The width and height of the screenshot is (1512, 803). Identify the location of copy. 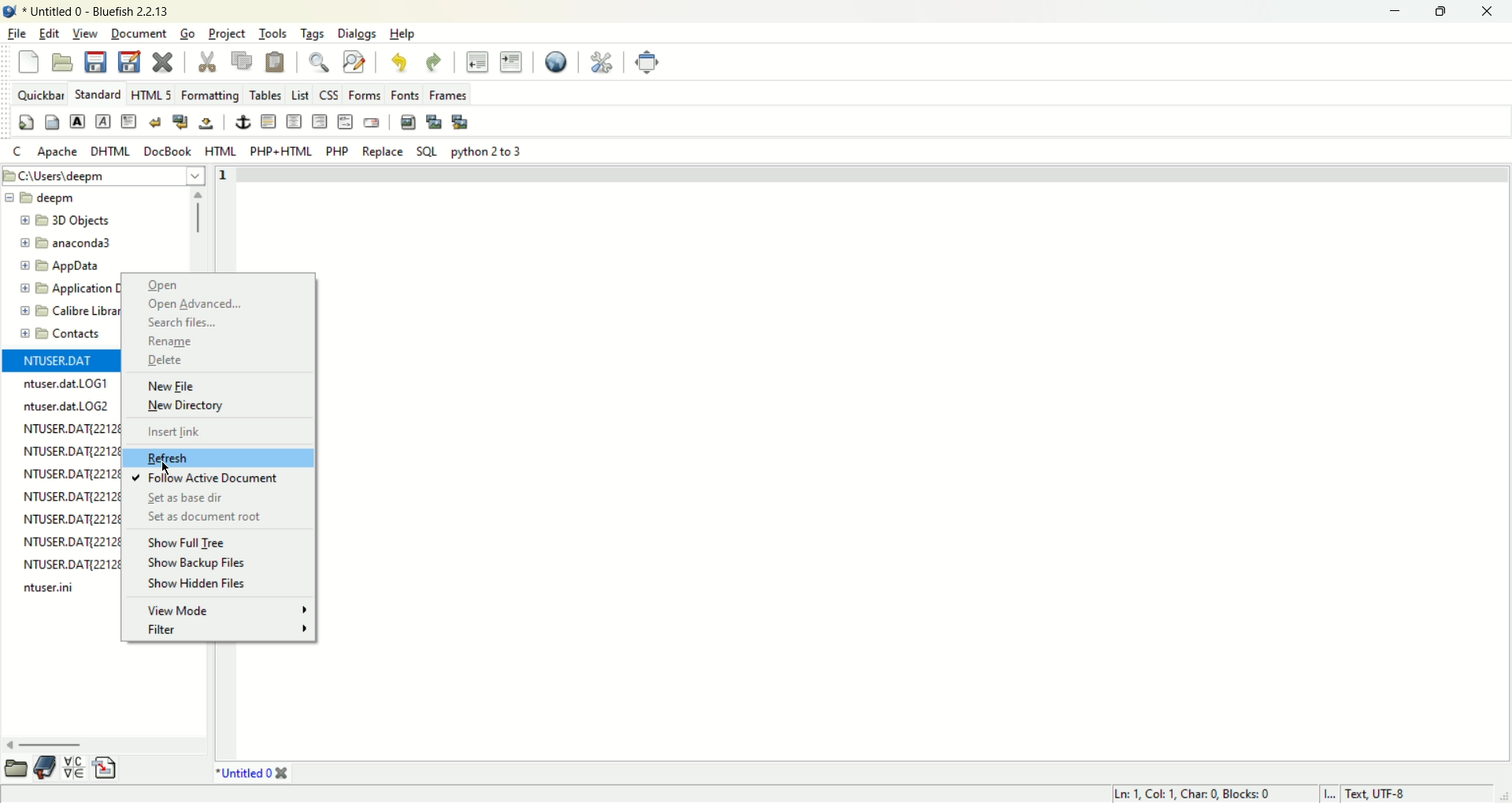
(242, 62).